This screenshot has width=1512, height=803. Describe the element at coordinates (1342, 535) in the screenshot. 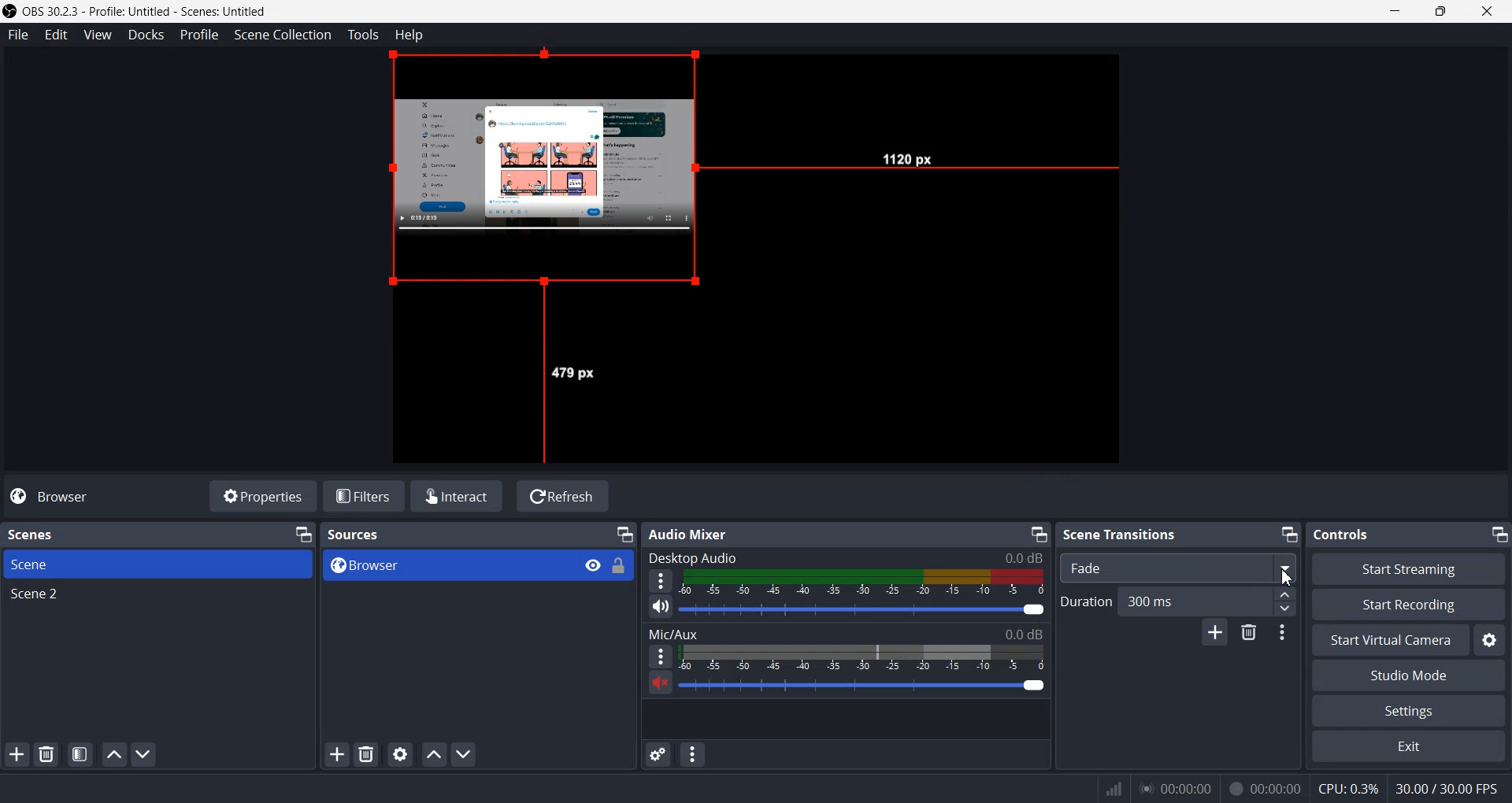

I see `Text` at that location.